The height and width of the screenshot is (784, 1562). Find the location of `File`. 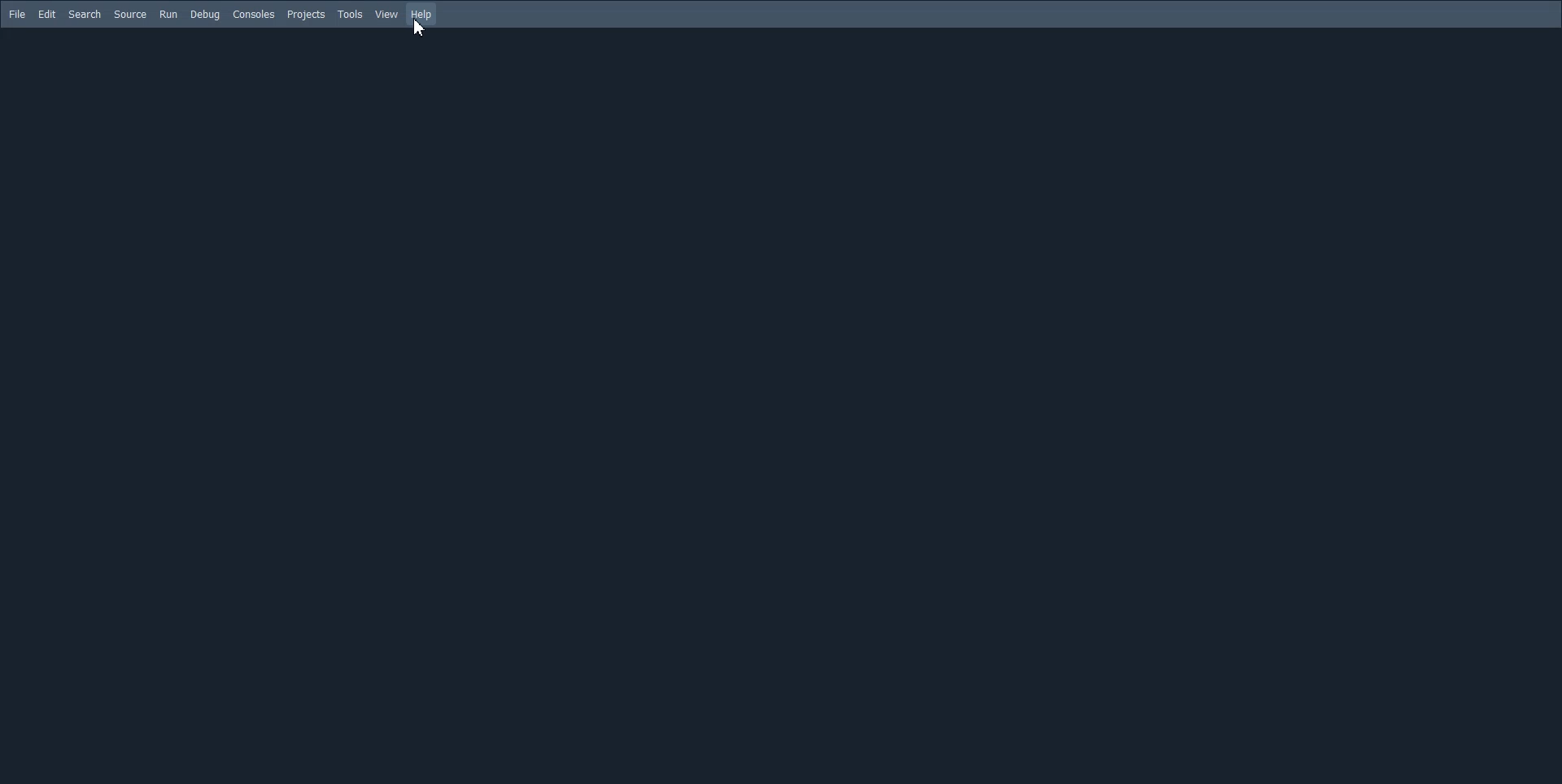

File is located at coordinates (15, 15).